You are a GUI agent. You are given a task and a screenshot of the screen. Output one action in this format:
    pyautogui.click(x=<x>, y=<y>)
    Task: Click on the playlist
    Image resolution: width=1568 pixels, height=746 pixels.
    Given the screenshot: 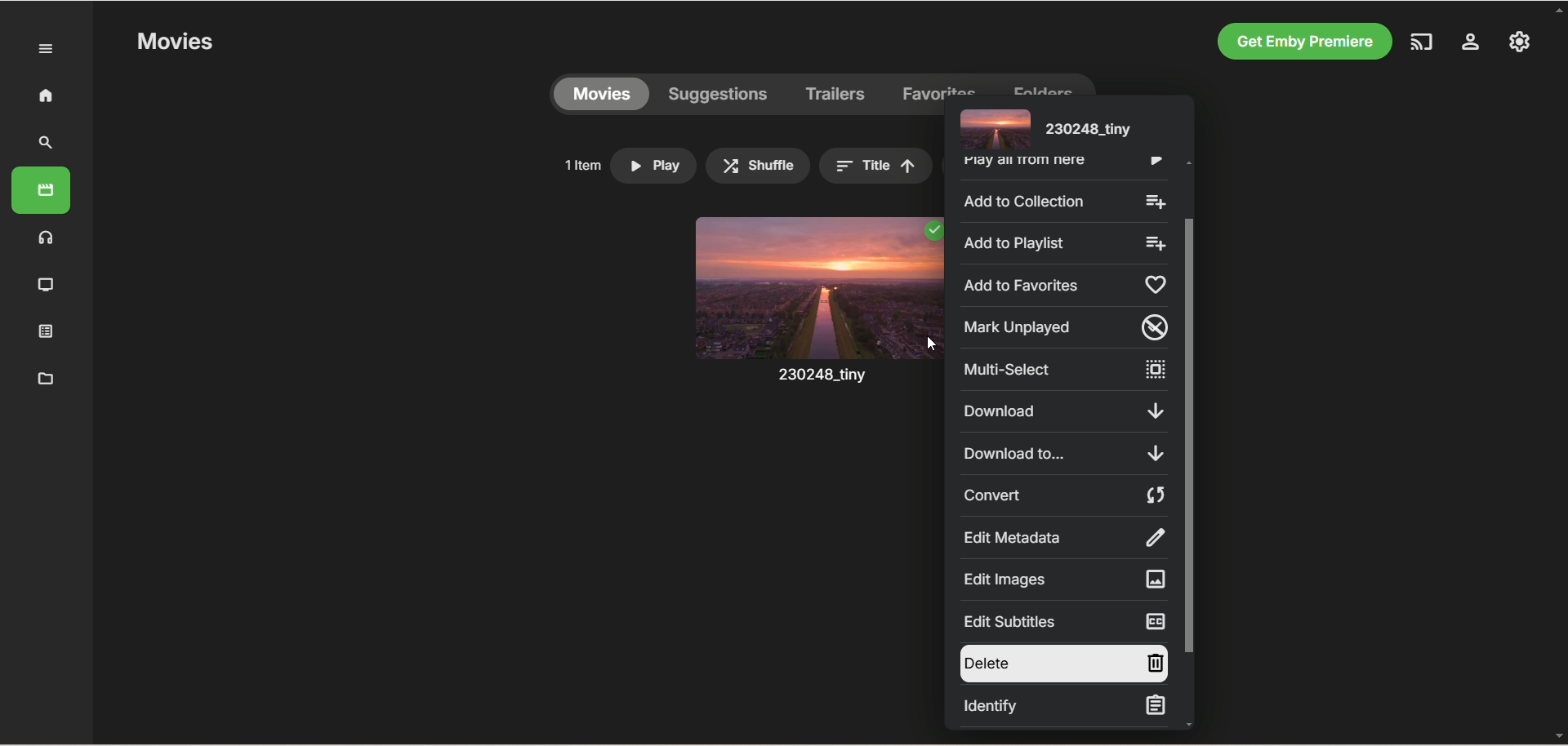 What is the action you would take?
    pyautogui.click(x=47, y=330)
    